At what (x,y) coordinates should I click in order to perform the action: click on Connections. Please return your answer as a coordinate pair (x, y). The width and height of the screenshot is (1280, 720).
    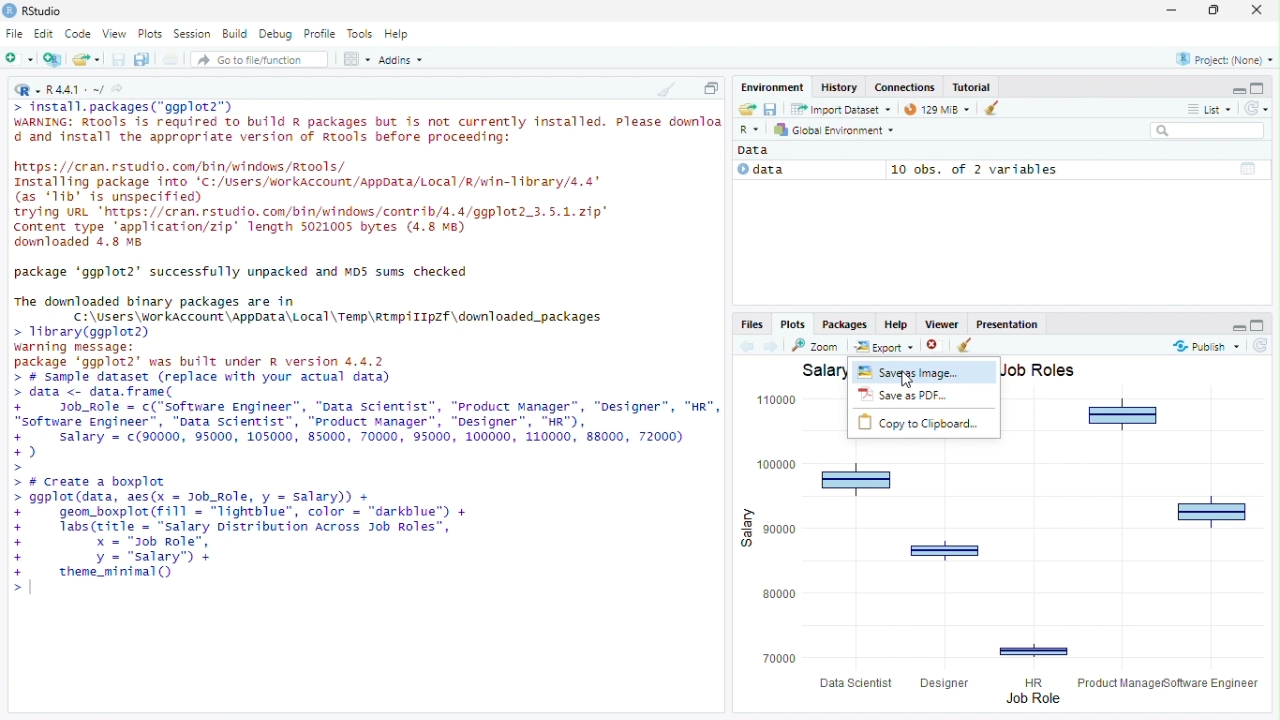
    Looking at the image, I should click on (904, 87).